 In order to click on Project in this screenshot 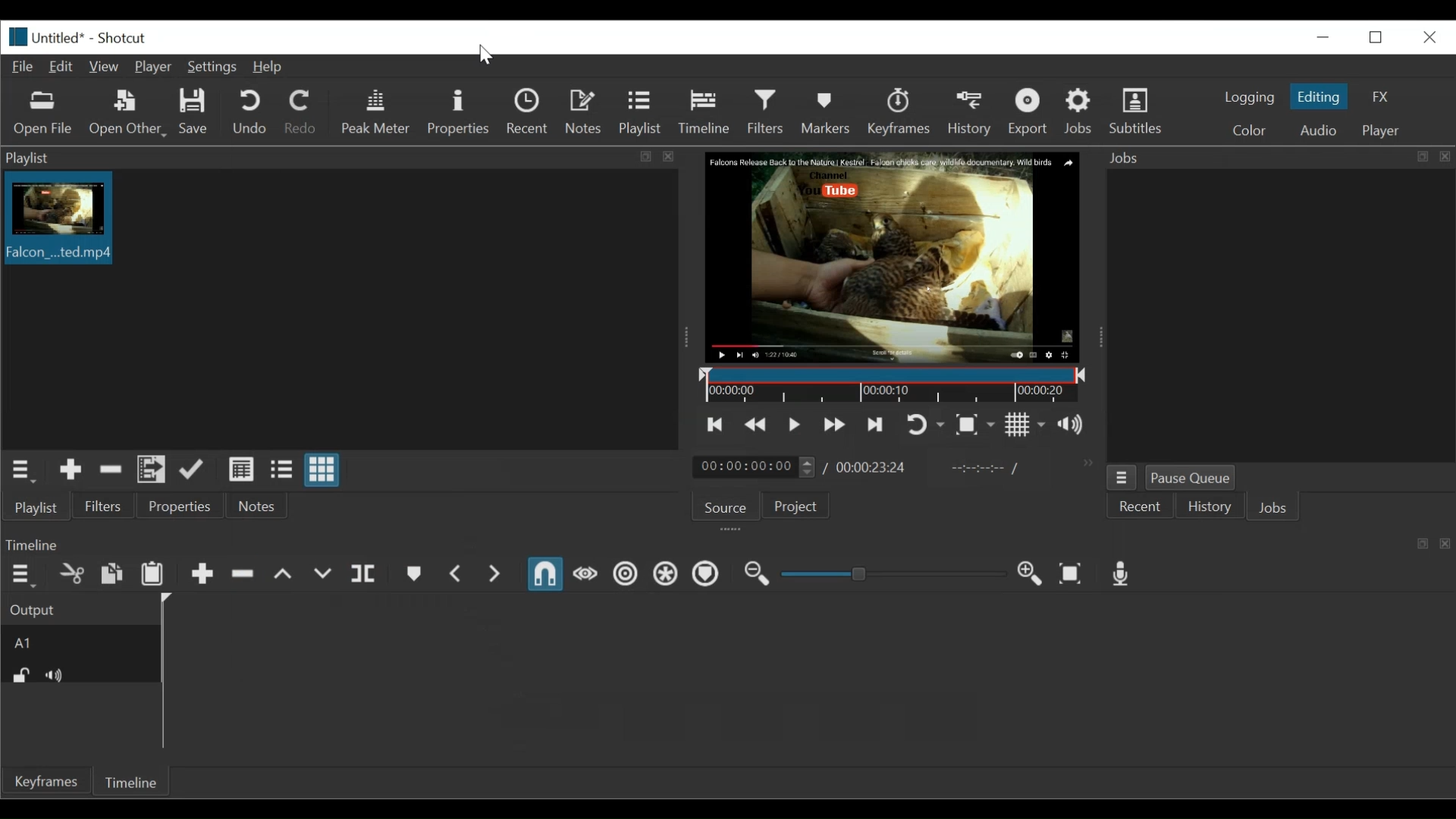, I will do `click(802, 507)`.